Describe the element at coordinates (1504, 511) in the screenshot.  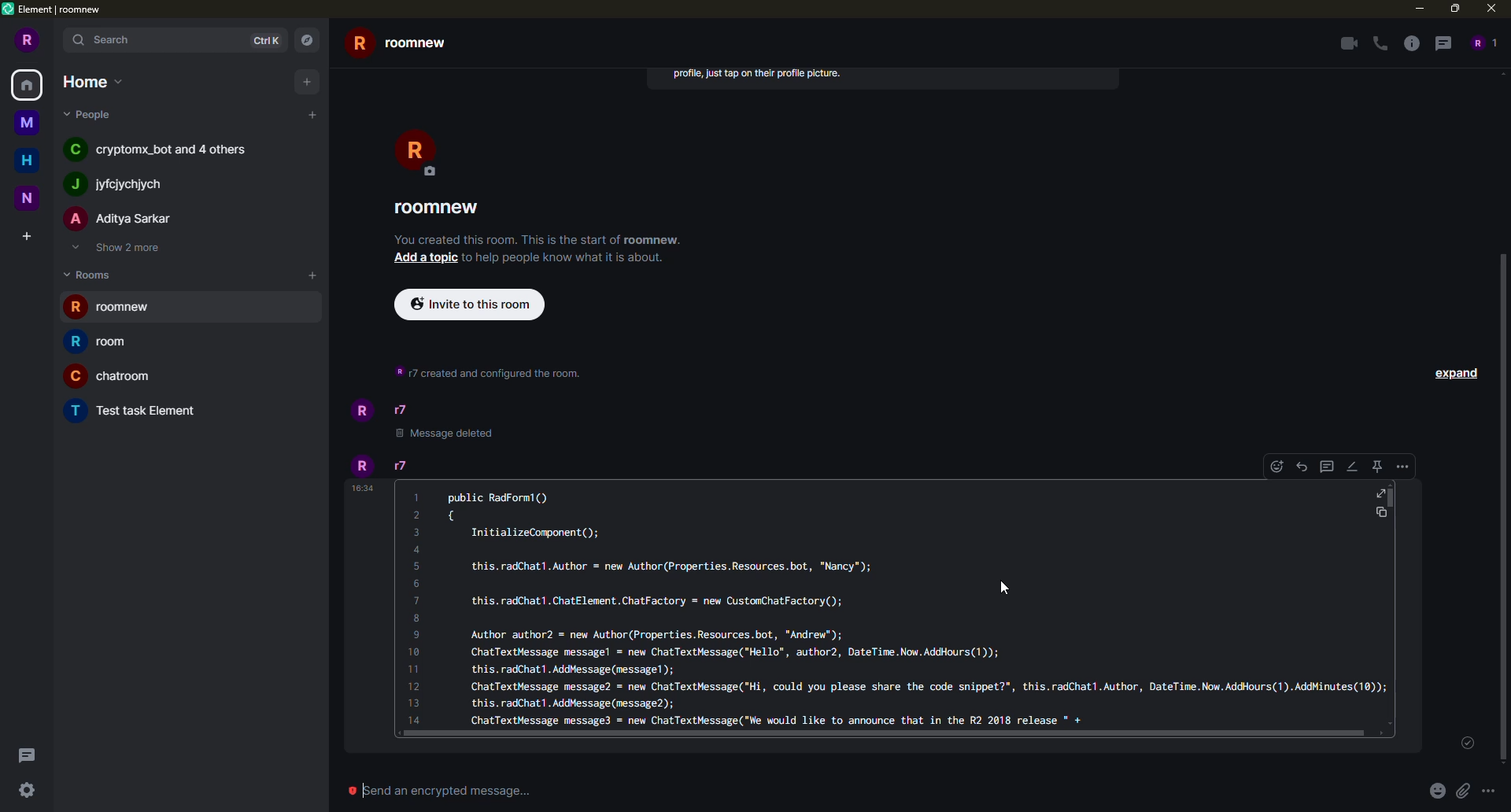
I see `scroll bar` at that location.